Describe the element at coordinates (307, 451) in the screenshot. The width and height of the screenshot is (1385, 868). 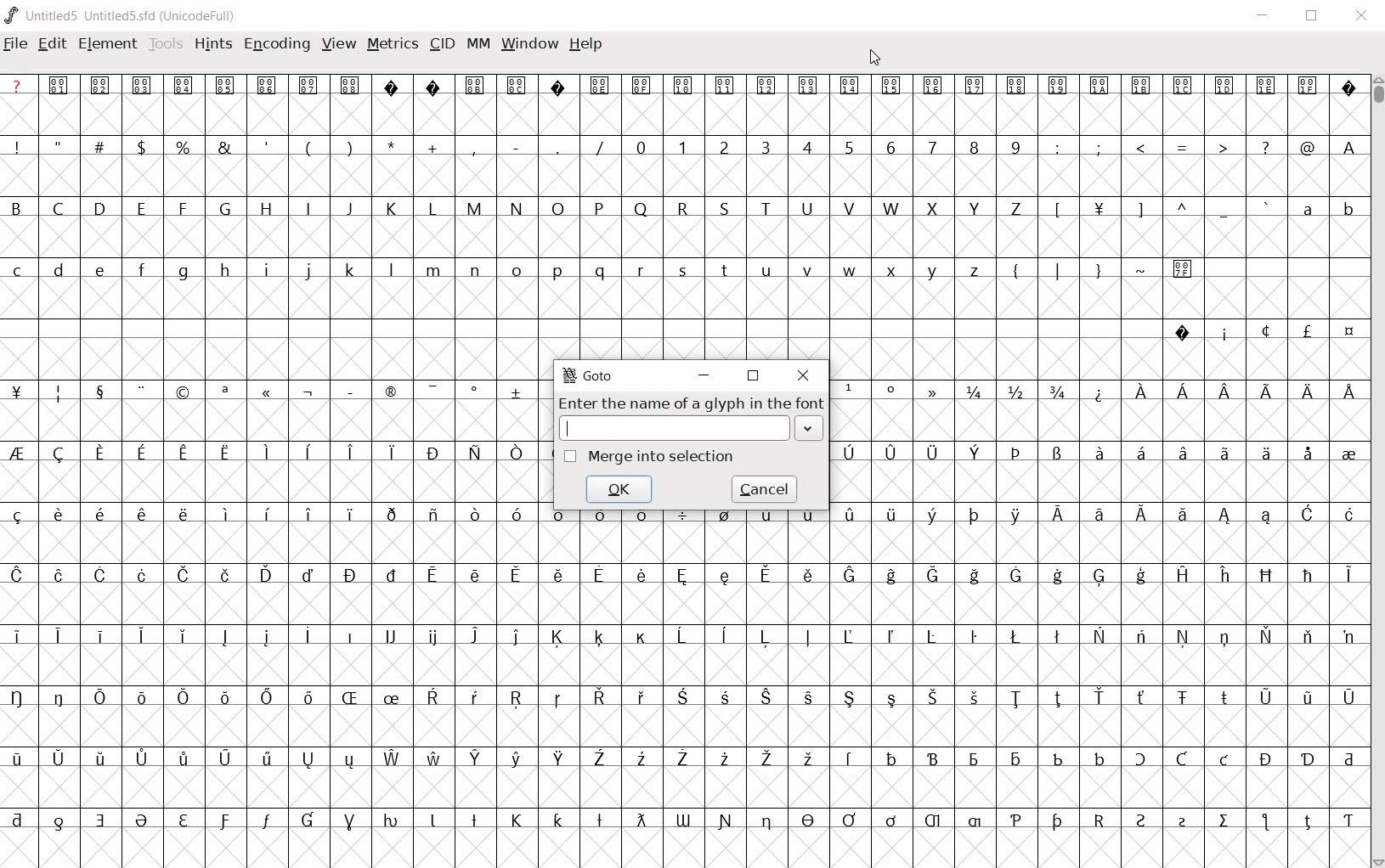
I see `Symbol` at that location.